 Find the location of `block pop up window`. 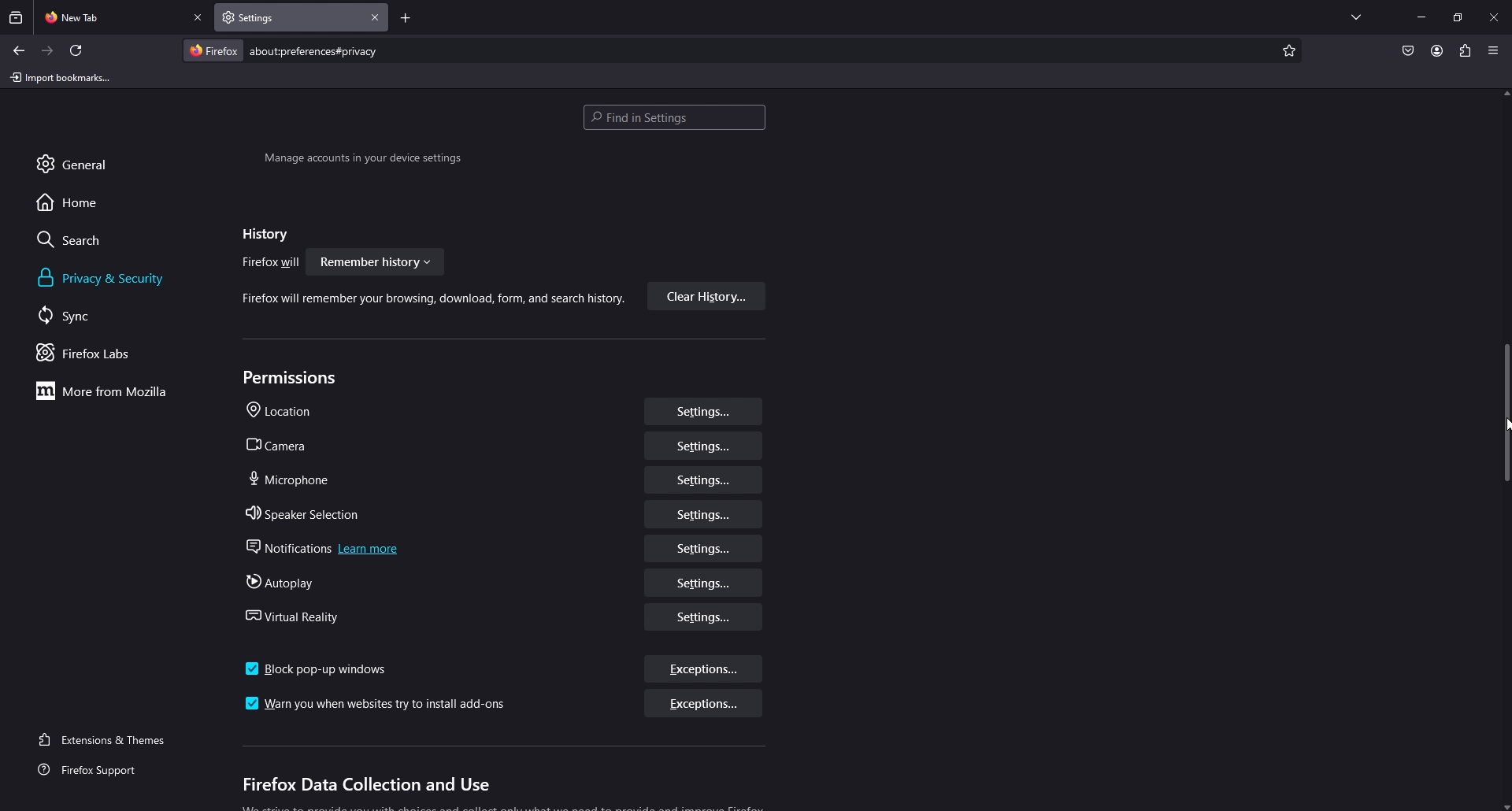

block pop up window is located at coordinates (318, 669).